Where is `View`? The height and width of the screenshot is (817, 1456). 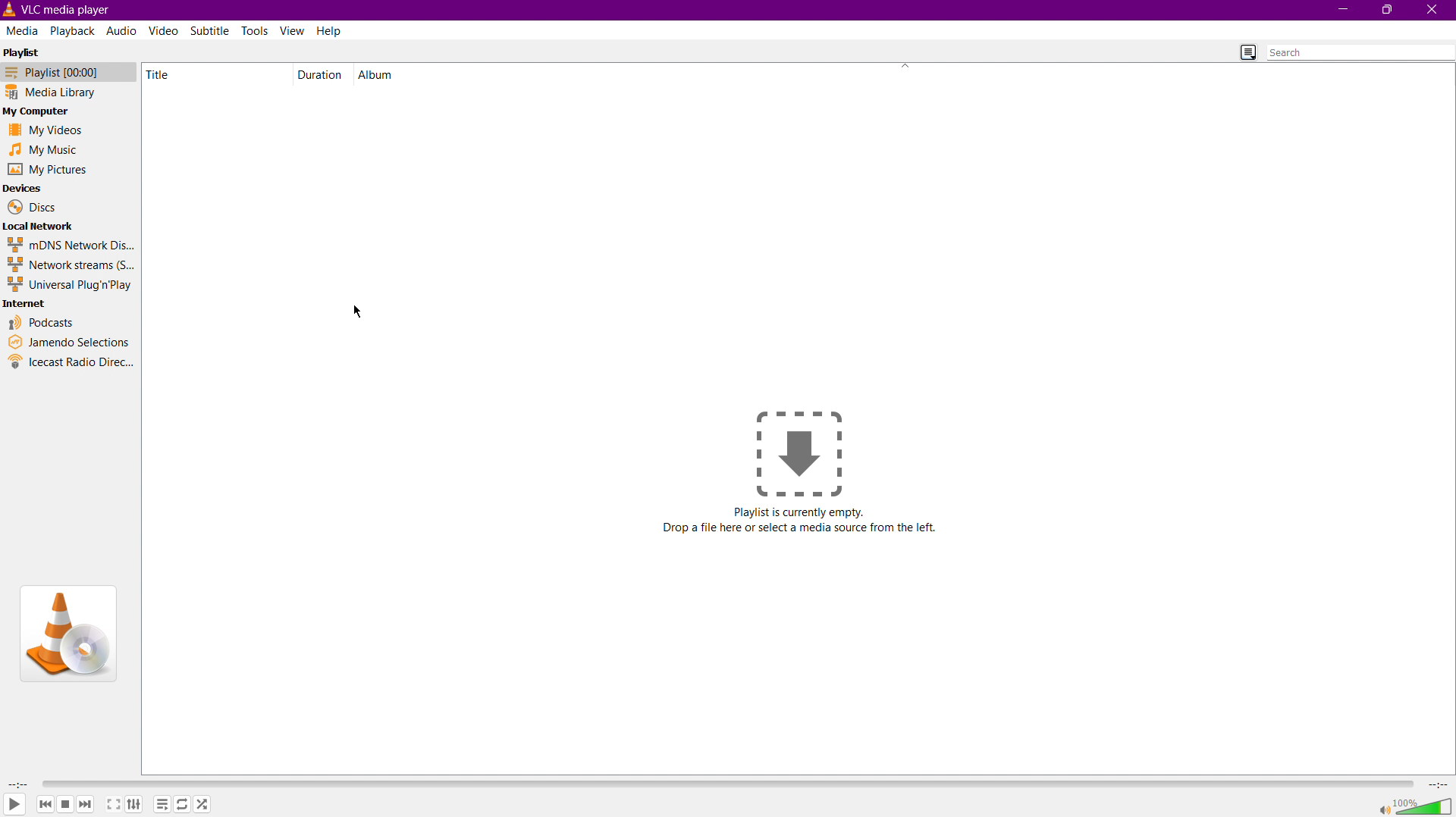
View is located at coordinates (293, 31).